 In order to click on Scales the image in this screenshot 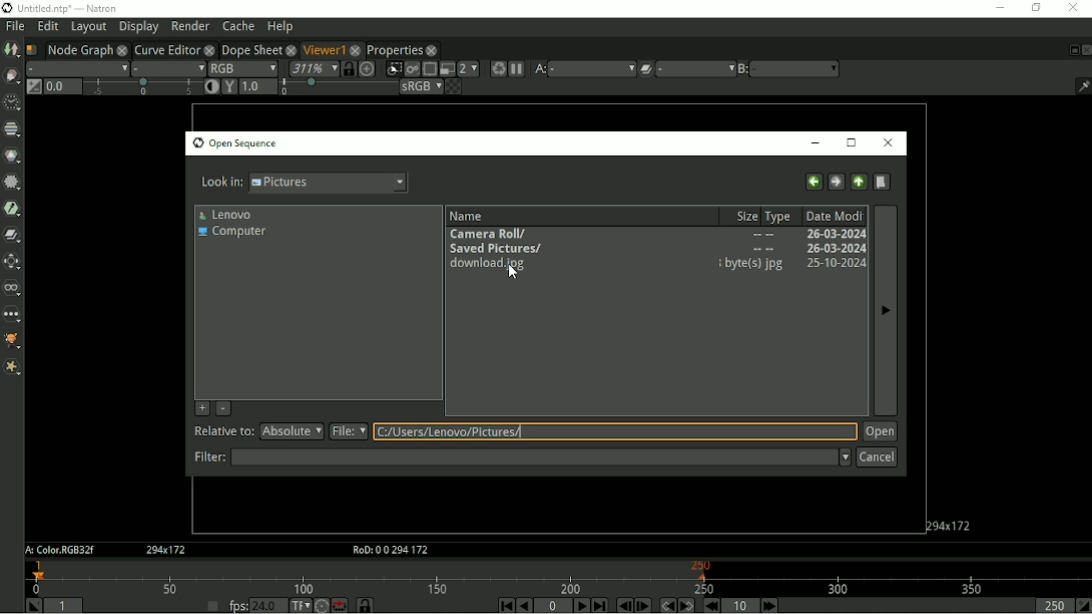, I will do `click(367, 68)`.